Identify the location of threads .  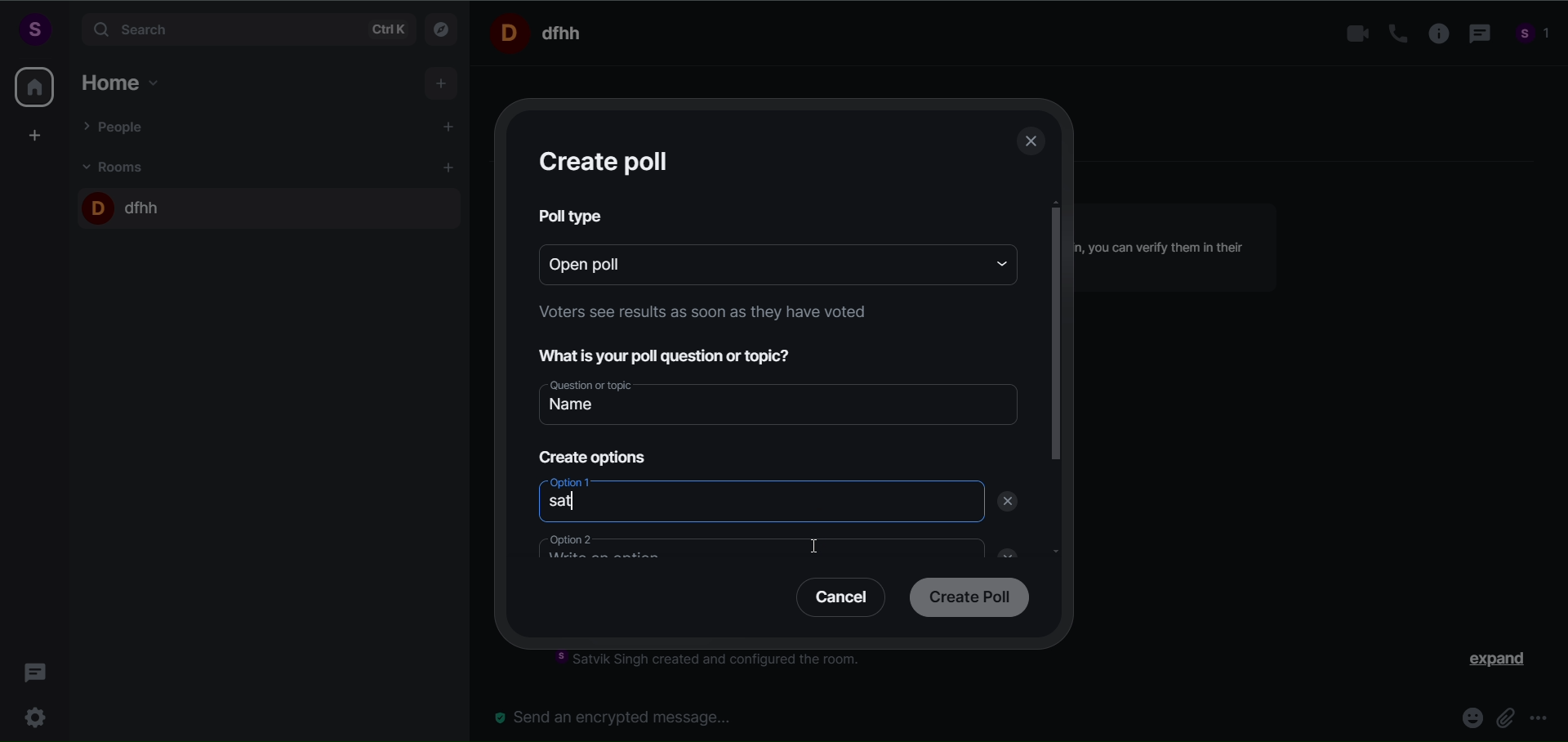
(36, 668).